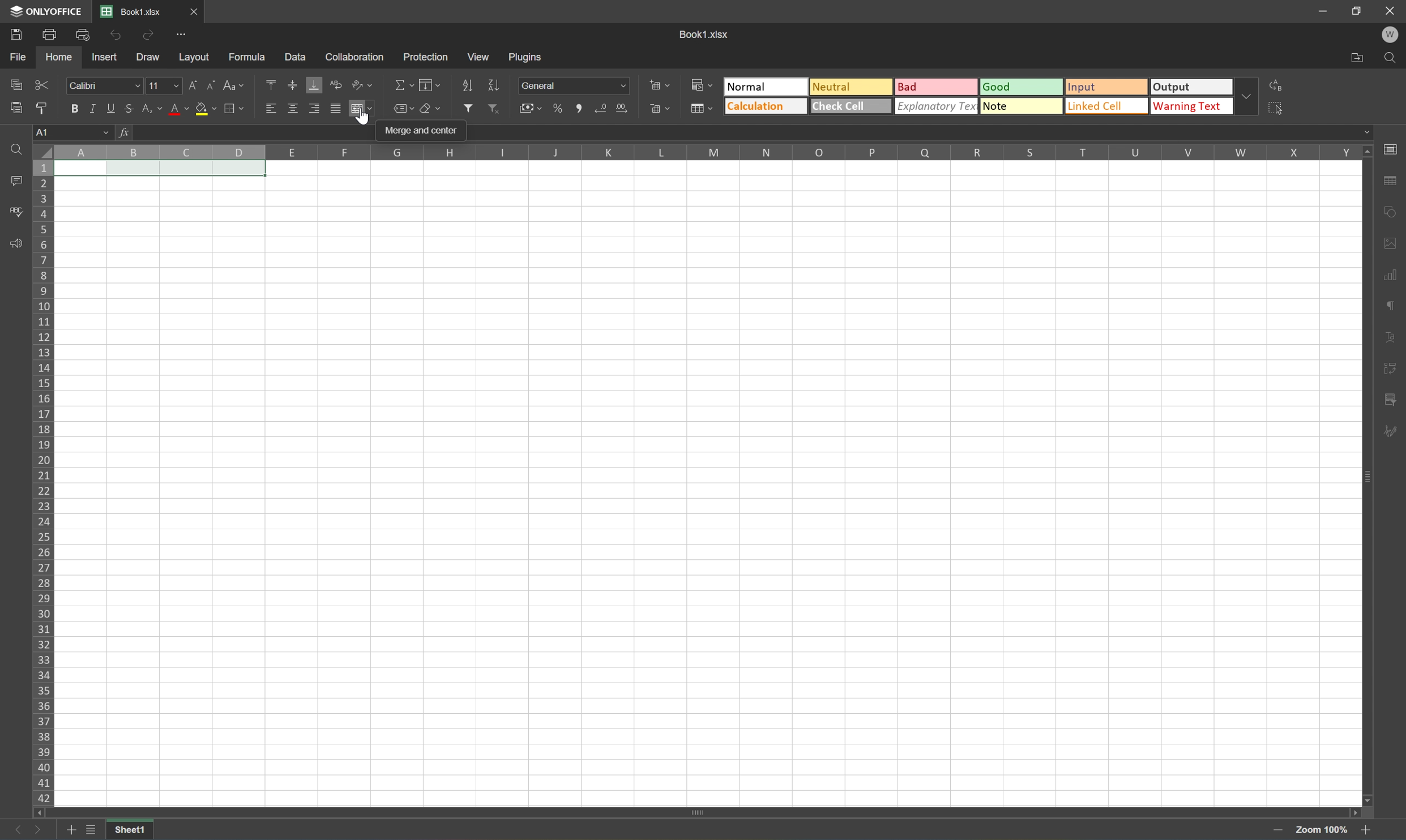 Image resolution: width=1406 pixels, height=840 pixels. What do you see at coordinates (1394, 36) in the screenshot?
I see `Welcome` at bounding box center [1394, 36].